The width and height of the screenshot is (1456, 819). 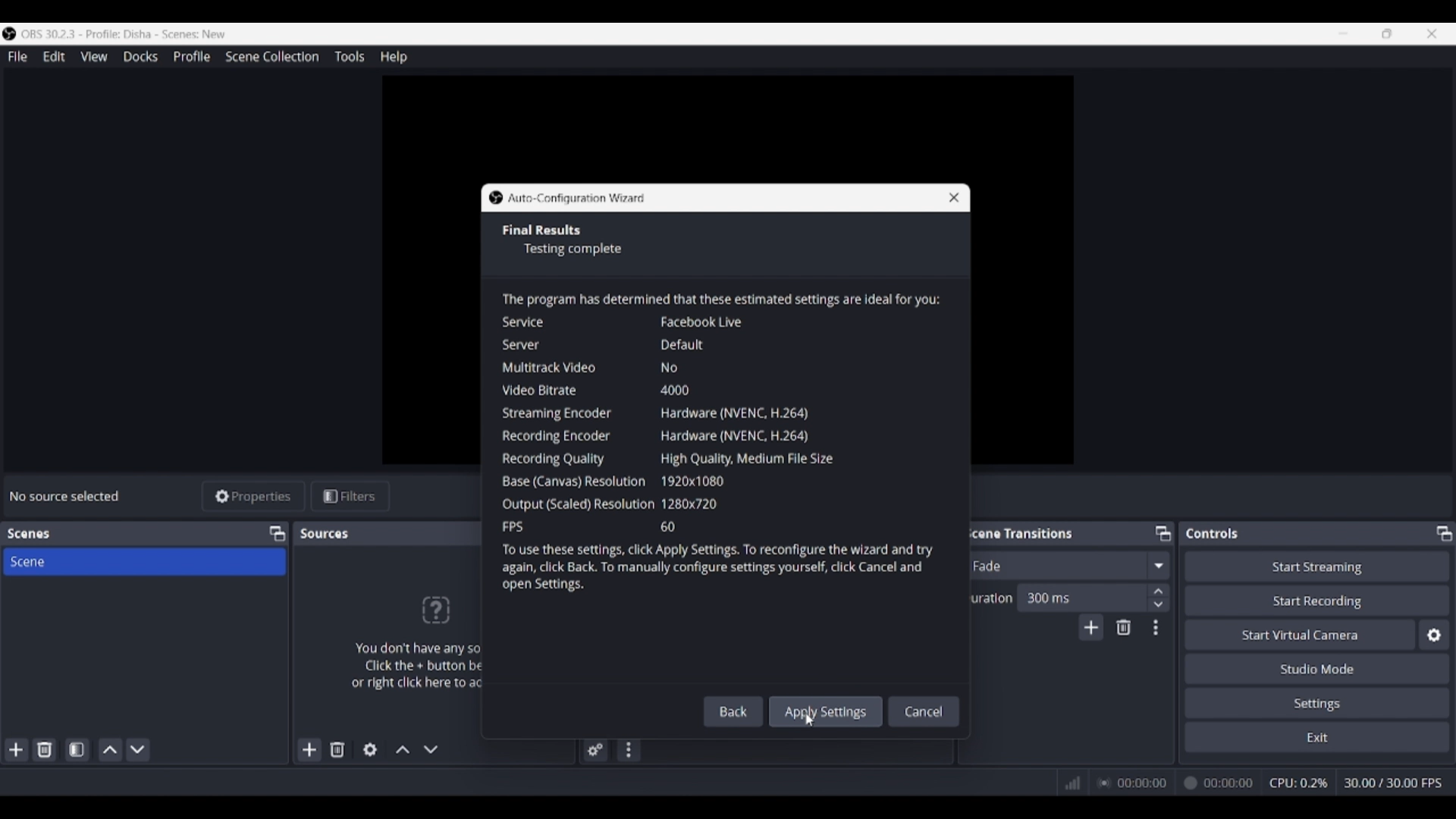 What do you see at coordinates (987, 598) in the screenshot?
I see `Indicates duration` at bounding box center [987, 598].